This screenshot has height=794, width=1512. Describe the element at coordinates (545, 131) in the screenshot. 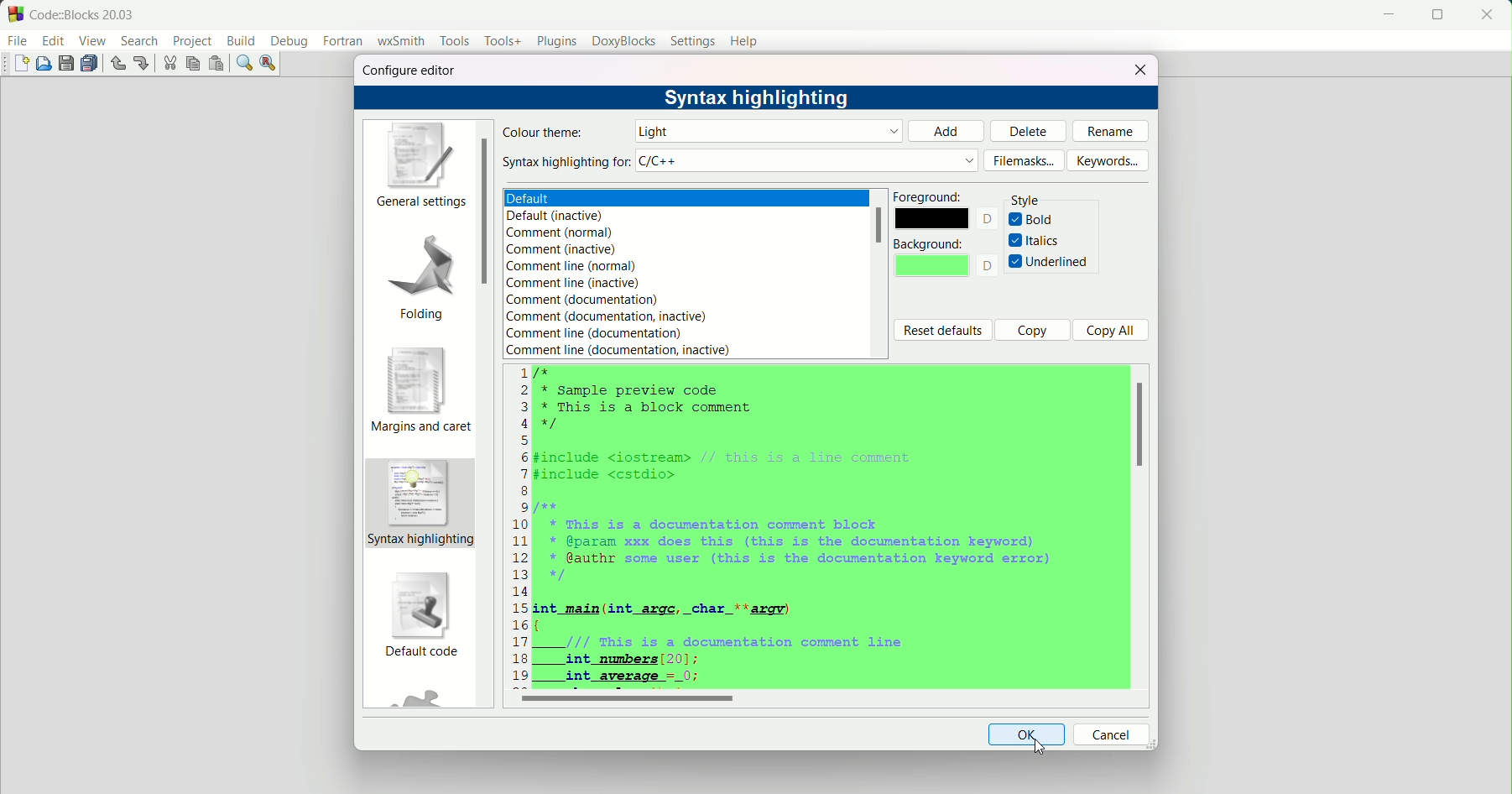

I see `colour theme` at that location.